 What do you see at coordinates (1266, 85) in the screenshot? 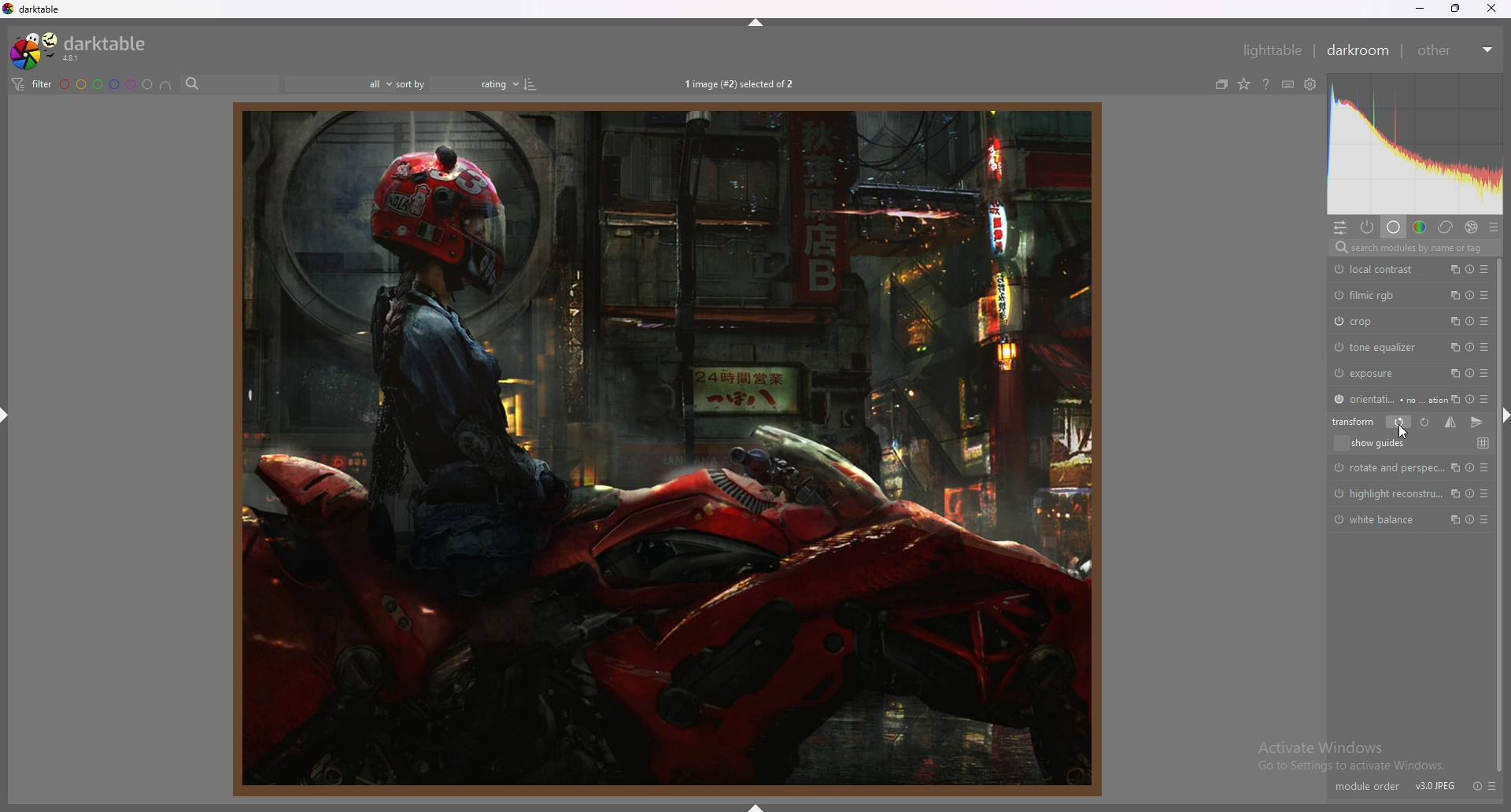
I see `get help` at bounding box center [1266, 85].